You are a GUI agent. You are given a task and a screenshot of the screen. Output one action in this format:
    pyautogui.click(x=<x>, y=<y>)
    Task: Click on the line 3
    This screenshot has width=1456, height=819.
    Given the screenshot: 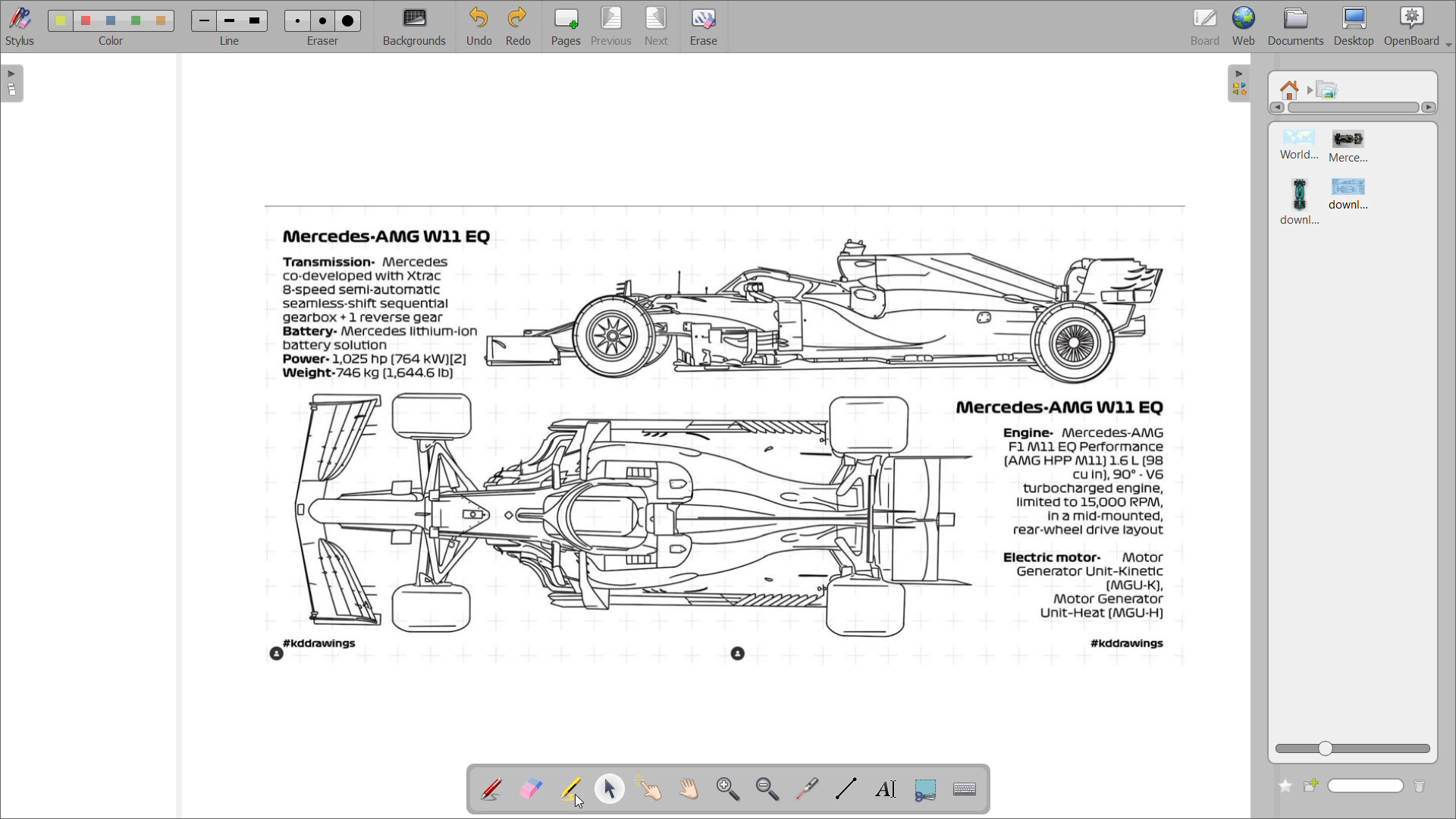 What is the action you would take?
    pyautogui.click(x=258, y=20)
    